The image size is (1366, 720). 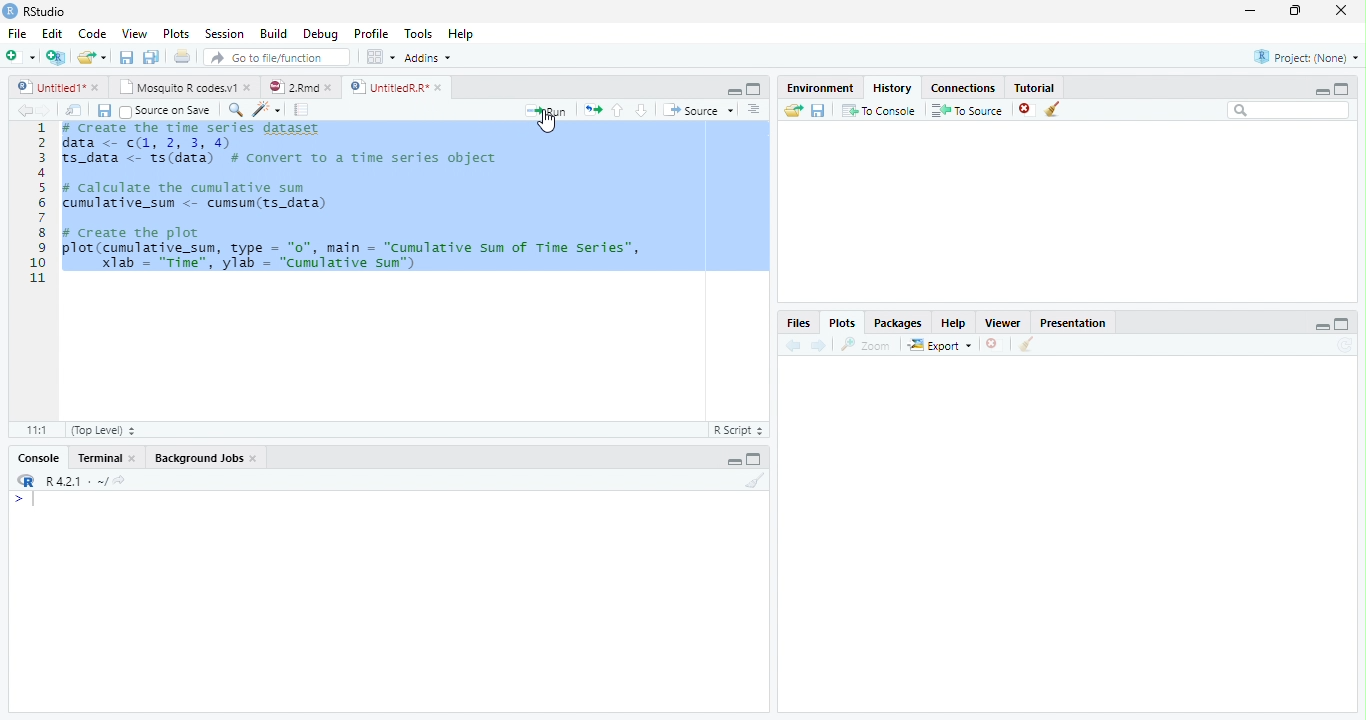 What do you see at coordinates (20, 498) in the screenshot?
I see `> ` at bounding box center [20, 498].